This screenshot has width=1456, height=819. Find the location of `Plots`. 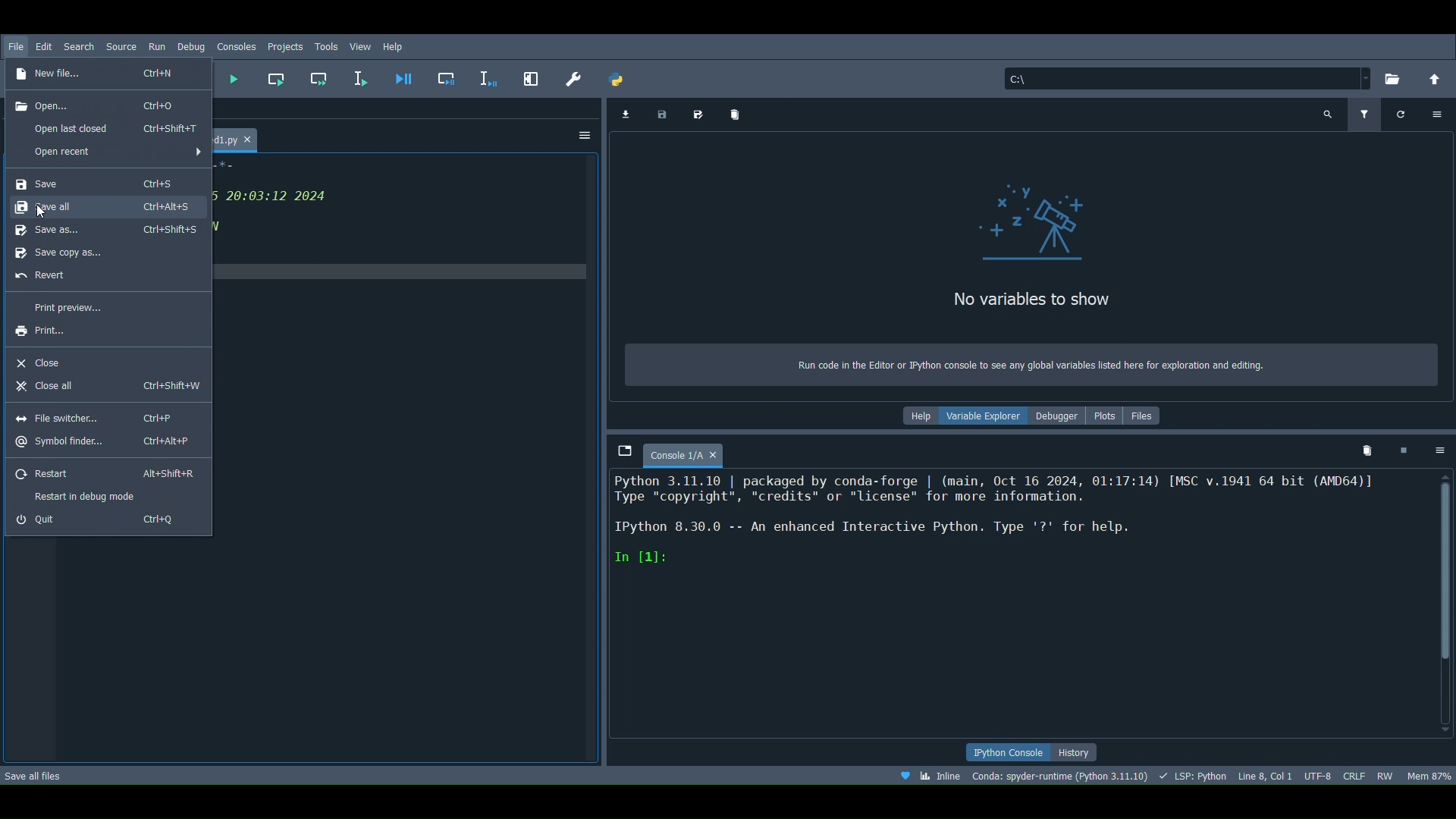

Plots is located at coordinates (1106, 416).